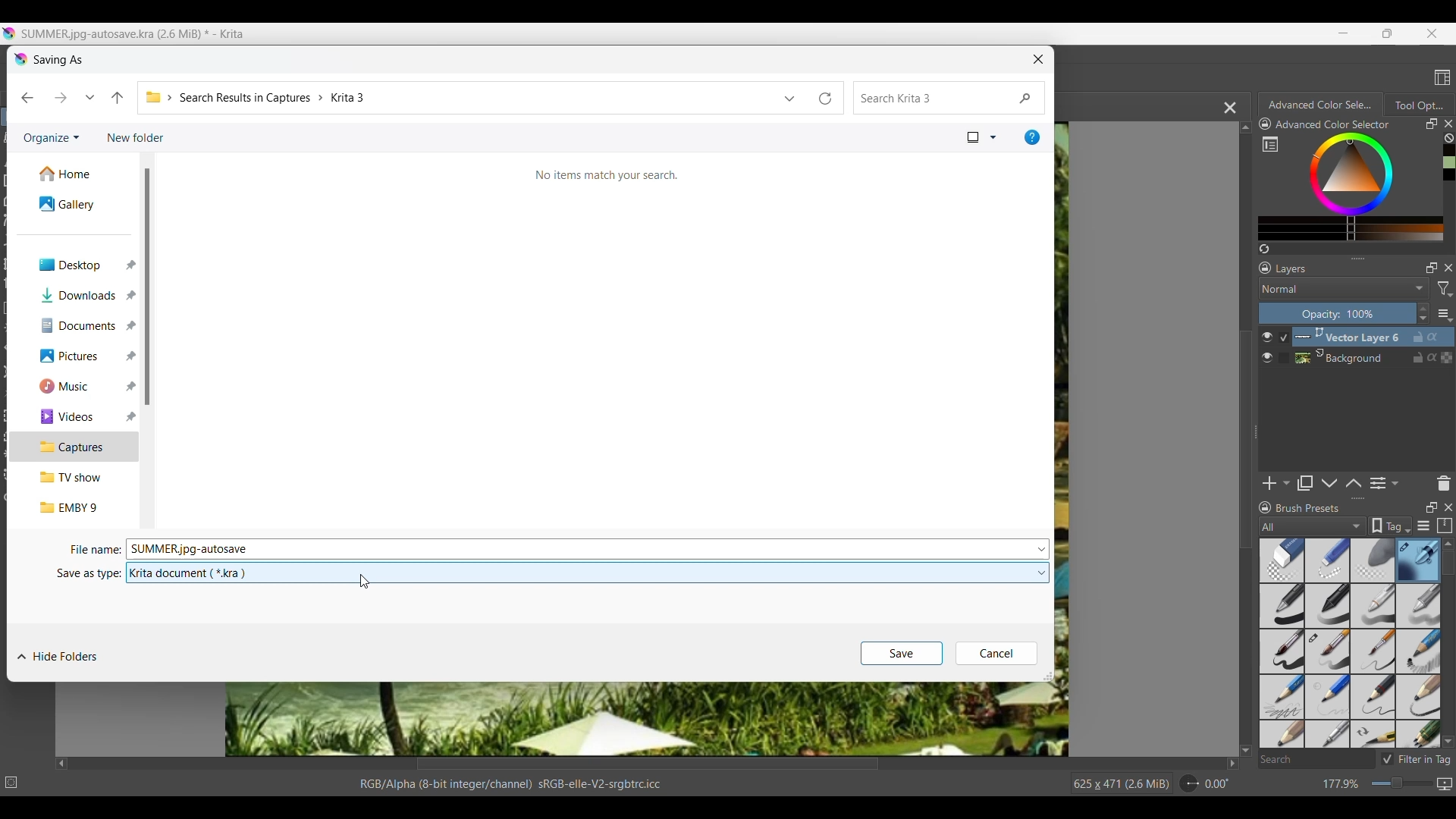 Image resolution: width=1456 pixels, height=819 pixels. What do you see at coordinates (77, 174) in the screenshot?
I see `Home folder` at bounding box center [77, 174].